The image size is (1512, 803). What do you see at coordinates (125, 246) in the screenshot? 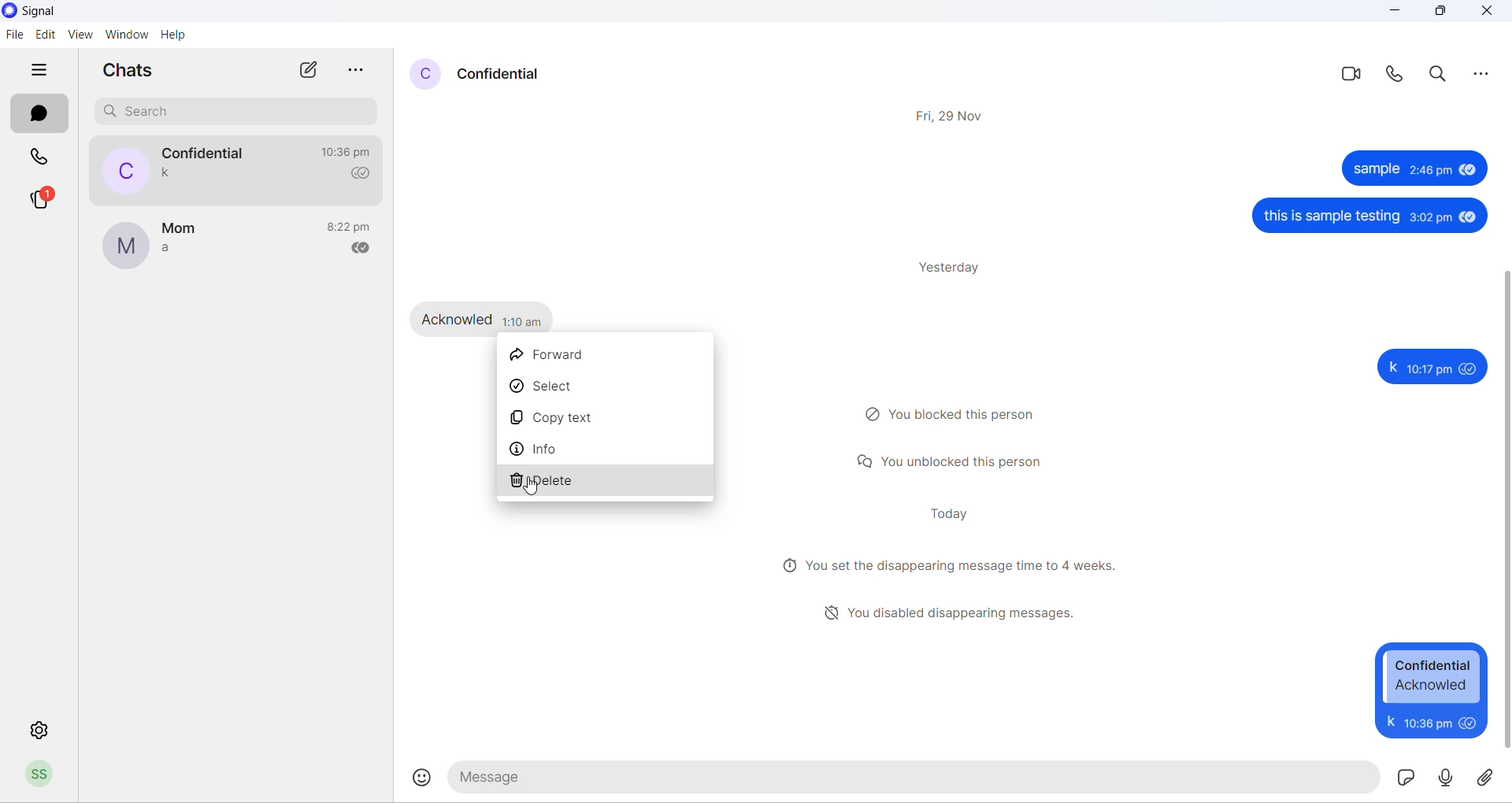
I see `profile picture` at bounding box center [125, 246].